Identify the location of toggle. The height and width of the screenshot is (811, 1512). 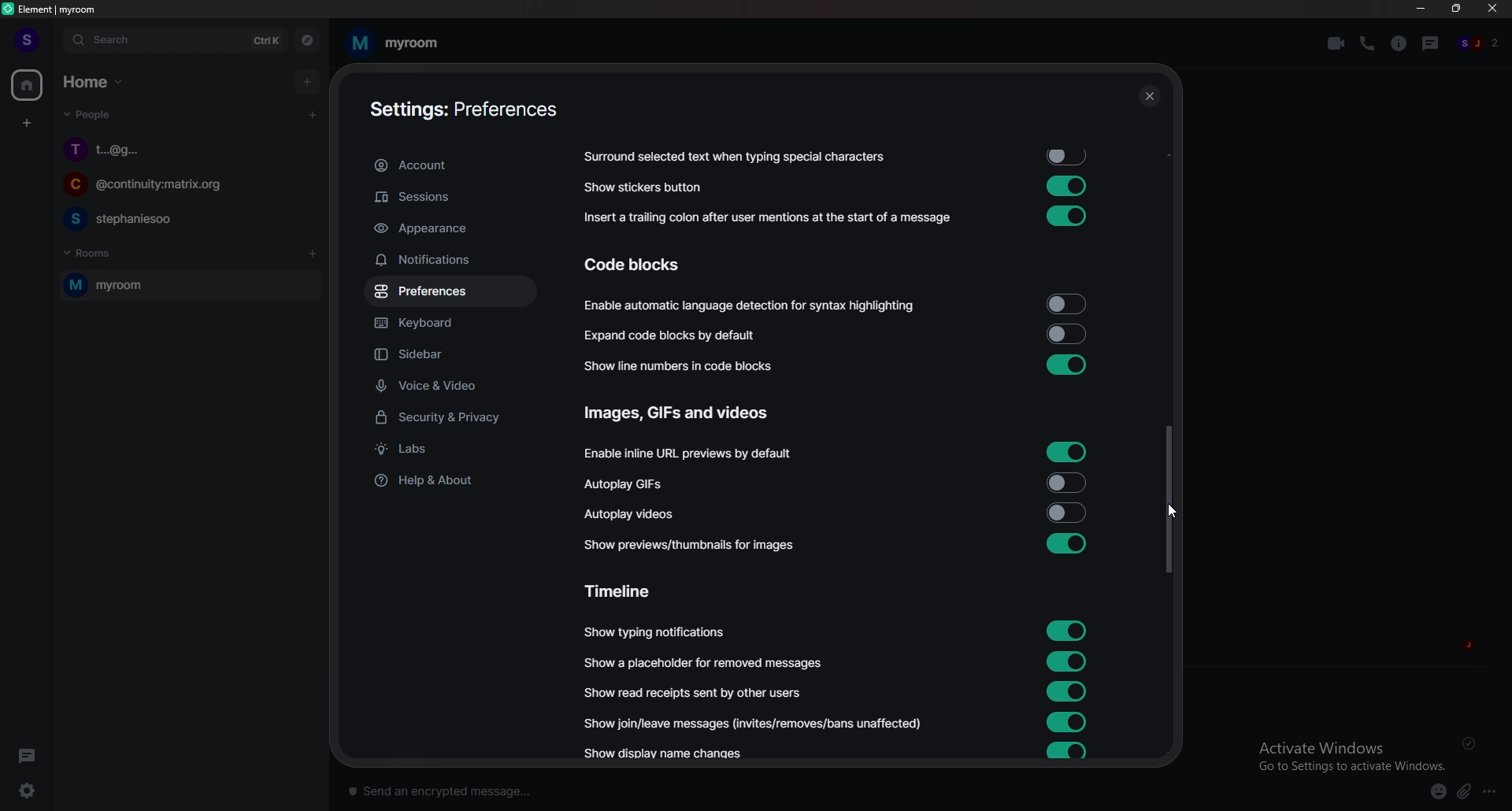
(1068, 659).